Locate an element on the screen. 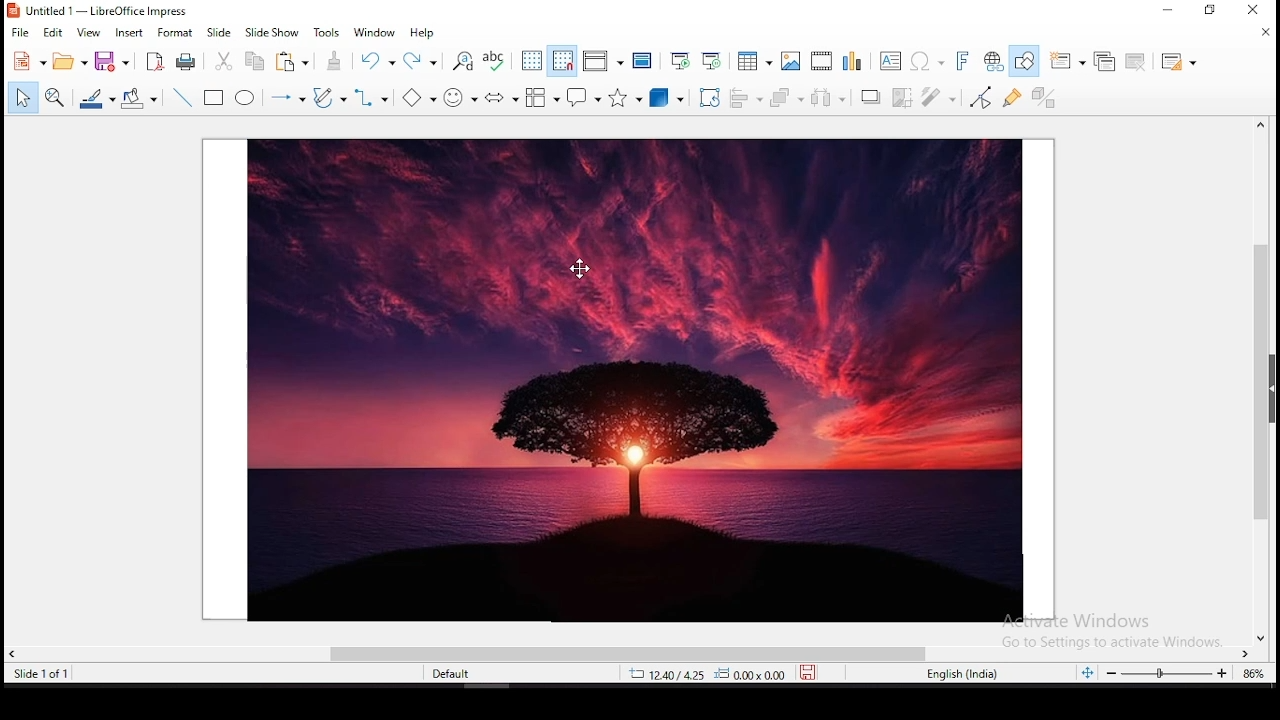 Image resolution: width=1280 pixels, height=720 pixels. insert fontwork text is located at coordinates (964, 60).